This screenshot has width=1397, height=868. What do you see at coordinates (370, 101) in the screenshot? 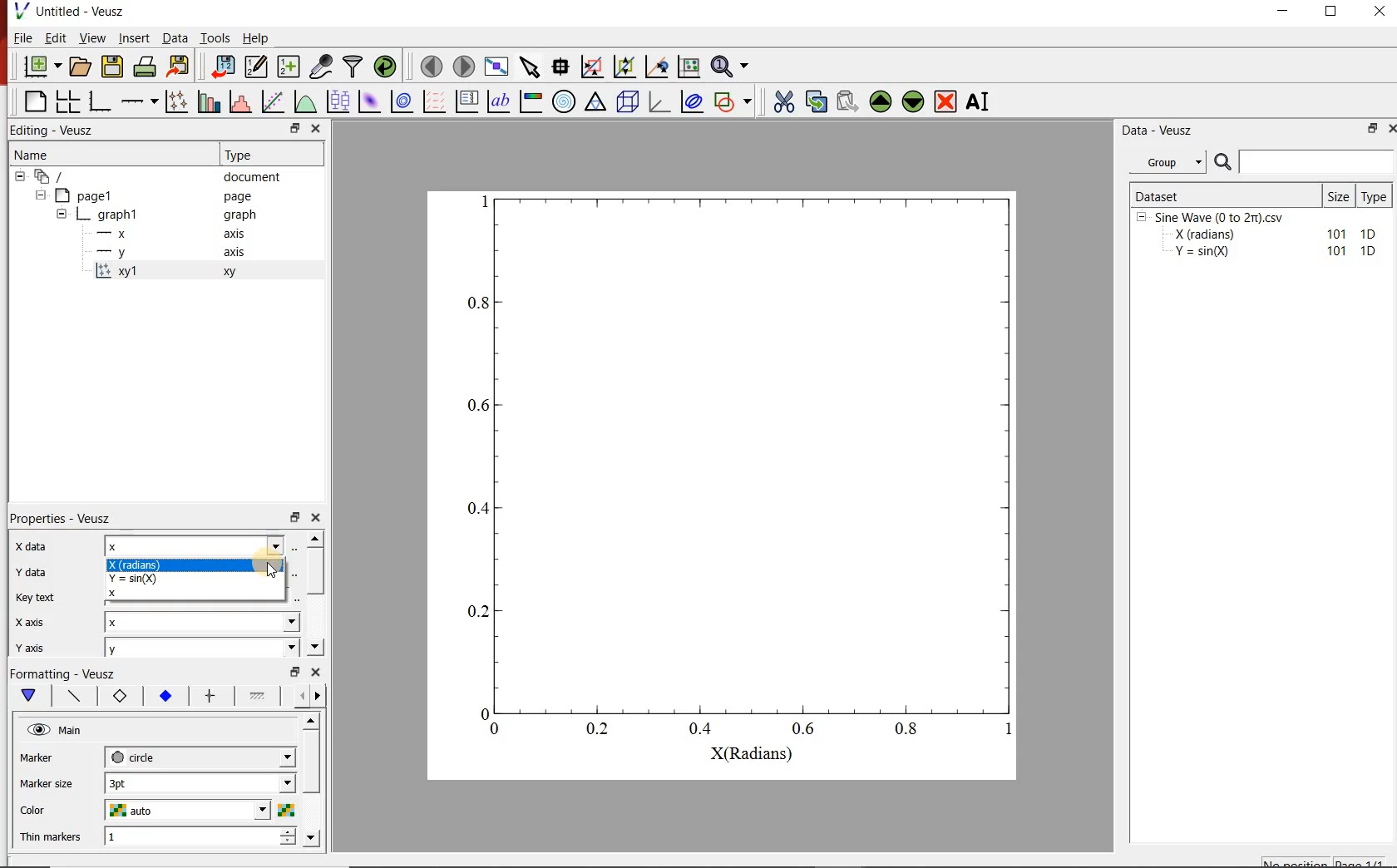
I see `plot 2d dataset as image` at bounding box center [370, 101].